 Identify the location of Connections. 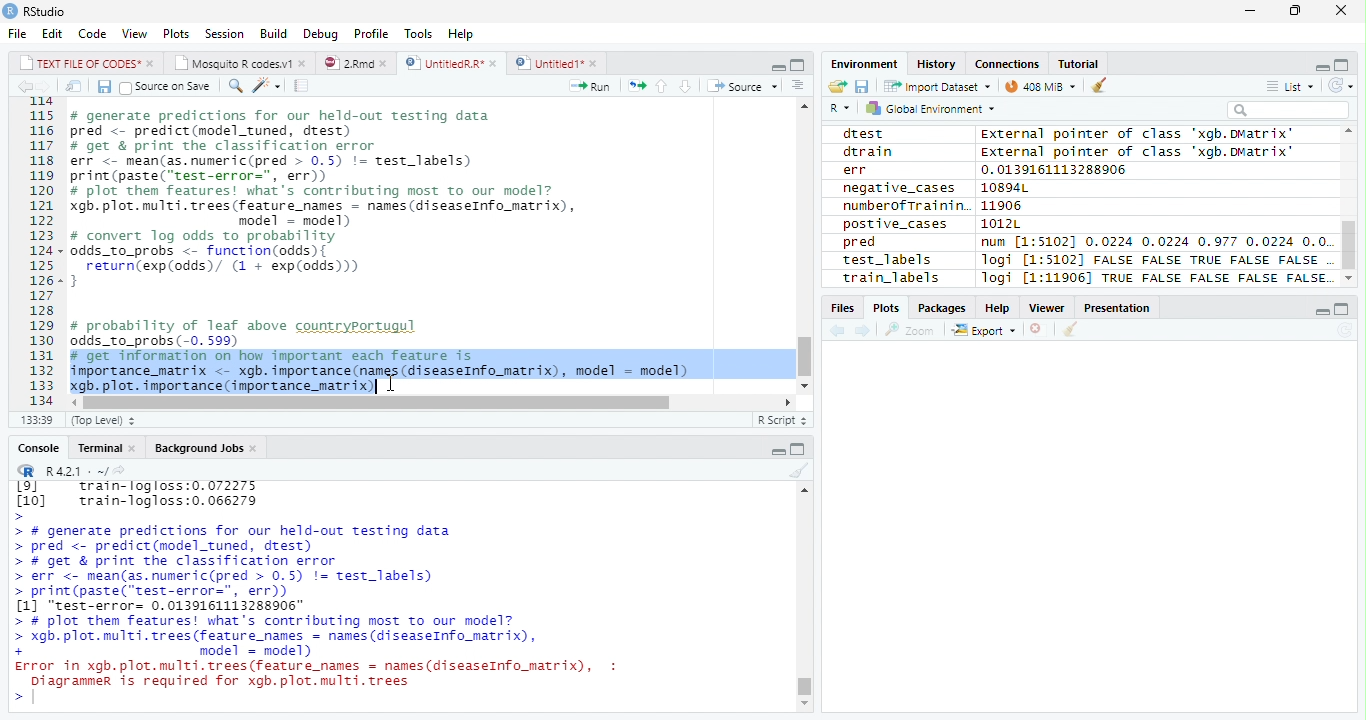
(1007, 64).